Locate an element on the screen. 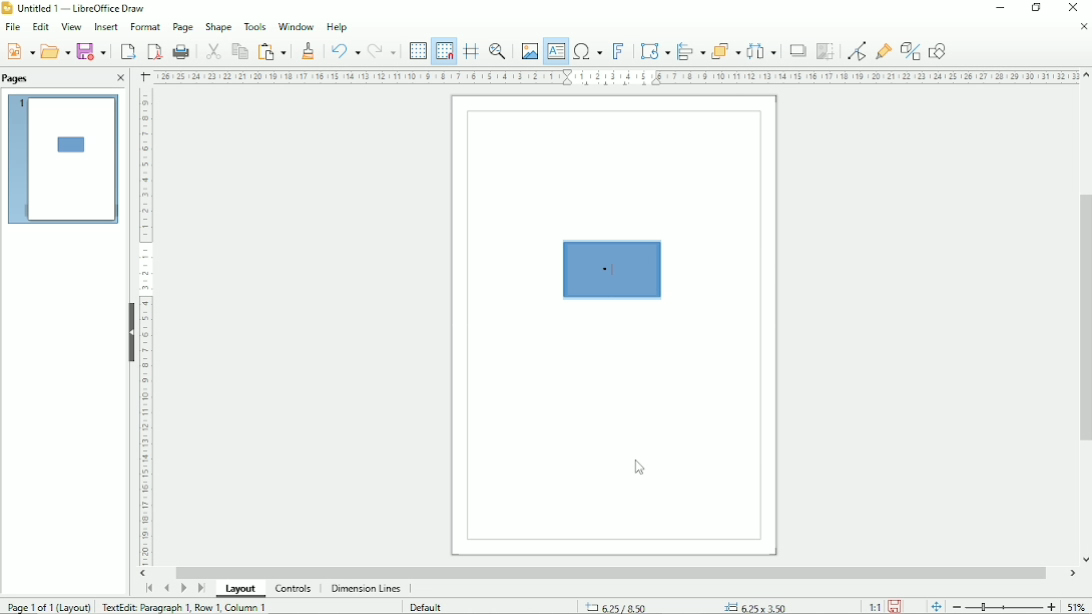  Cut is located at coordinates (212, 50).